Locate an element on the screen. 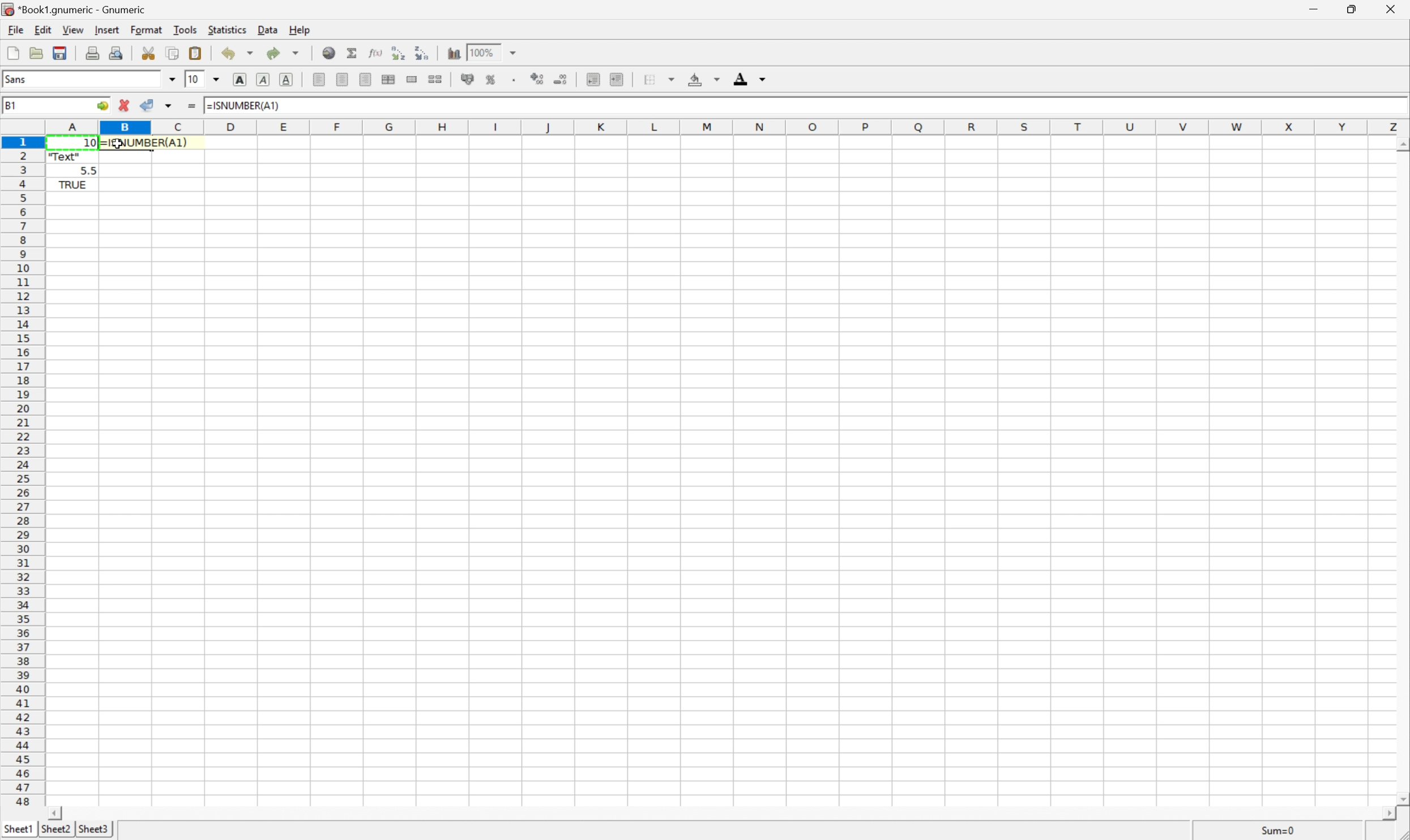 This screenshot has height=840, width=1410. Decrease number of decimals displayed is located at coordinates (562, 80).